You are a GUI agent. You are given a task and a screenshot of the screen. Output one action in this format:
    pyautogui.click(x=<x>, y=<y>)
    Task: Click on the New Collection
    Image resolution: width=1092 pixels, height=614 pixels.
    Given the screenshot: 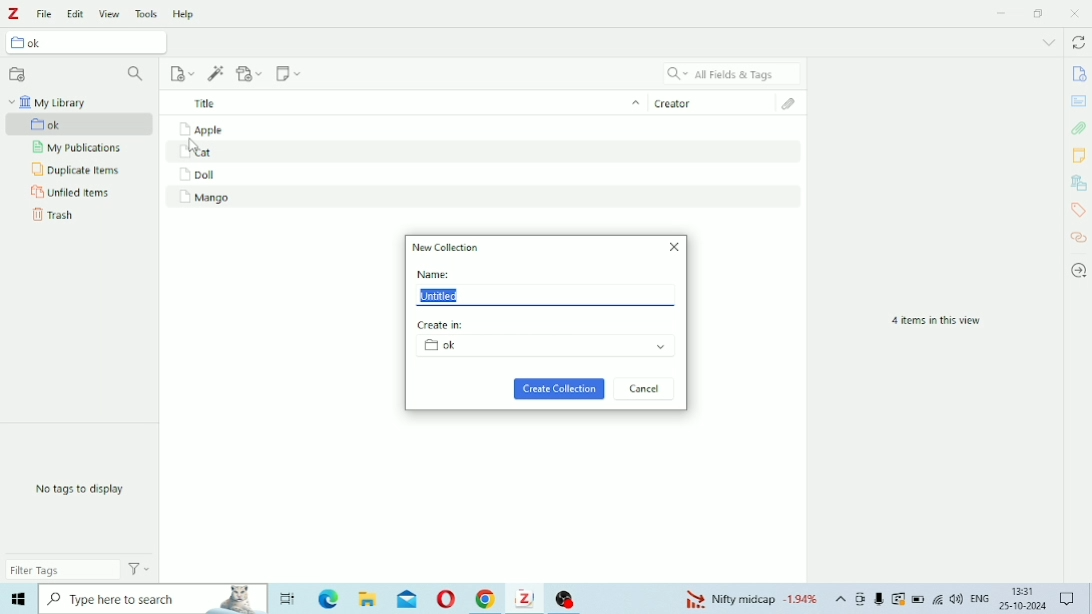 What is the action you would take?
    pyautogui.click(x=18, y=74)
    